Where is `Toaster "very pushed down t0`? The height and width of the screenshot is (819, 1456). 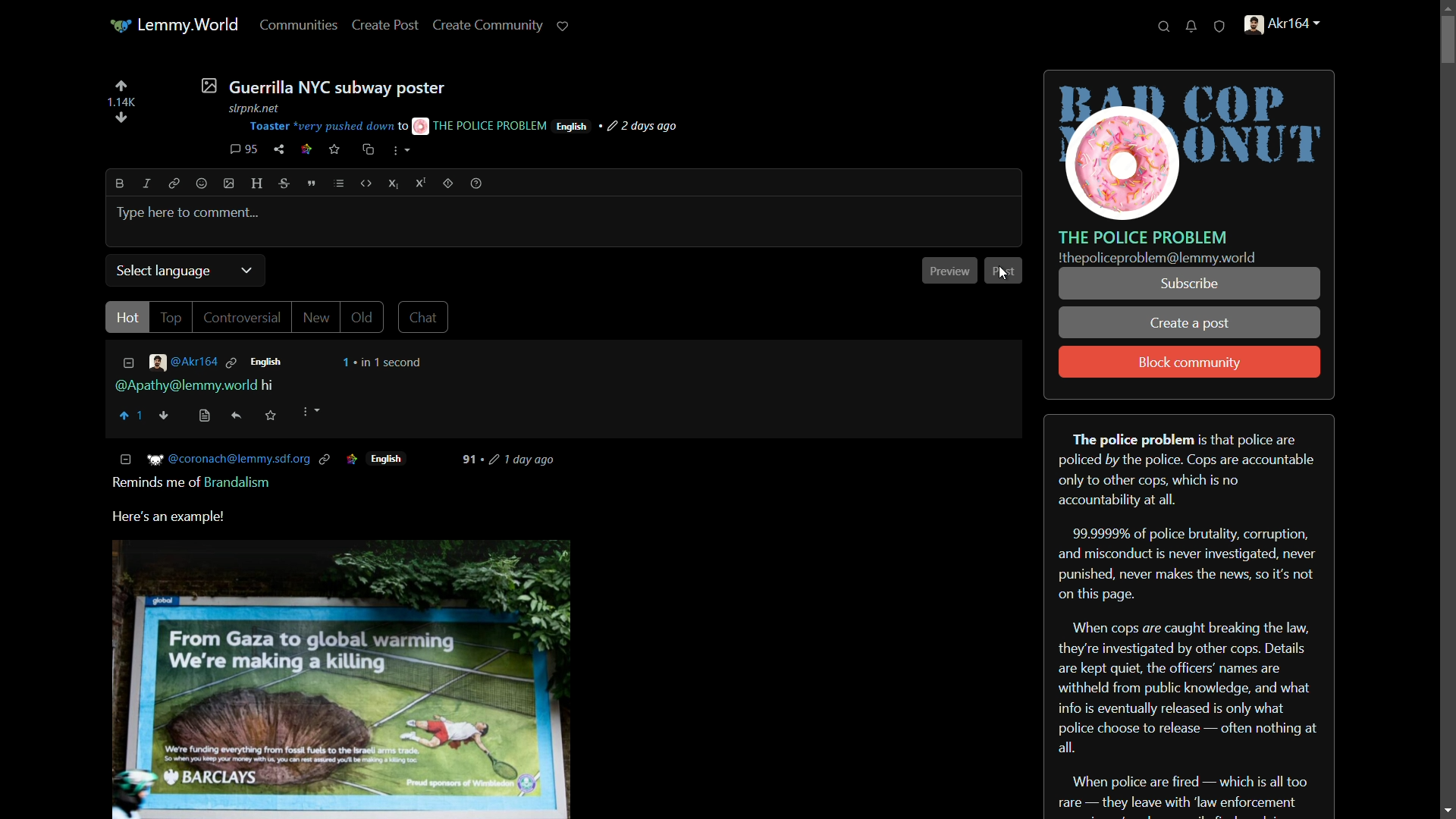 Toaster "very pushed down t0 is located at coordinates (328, 127).